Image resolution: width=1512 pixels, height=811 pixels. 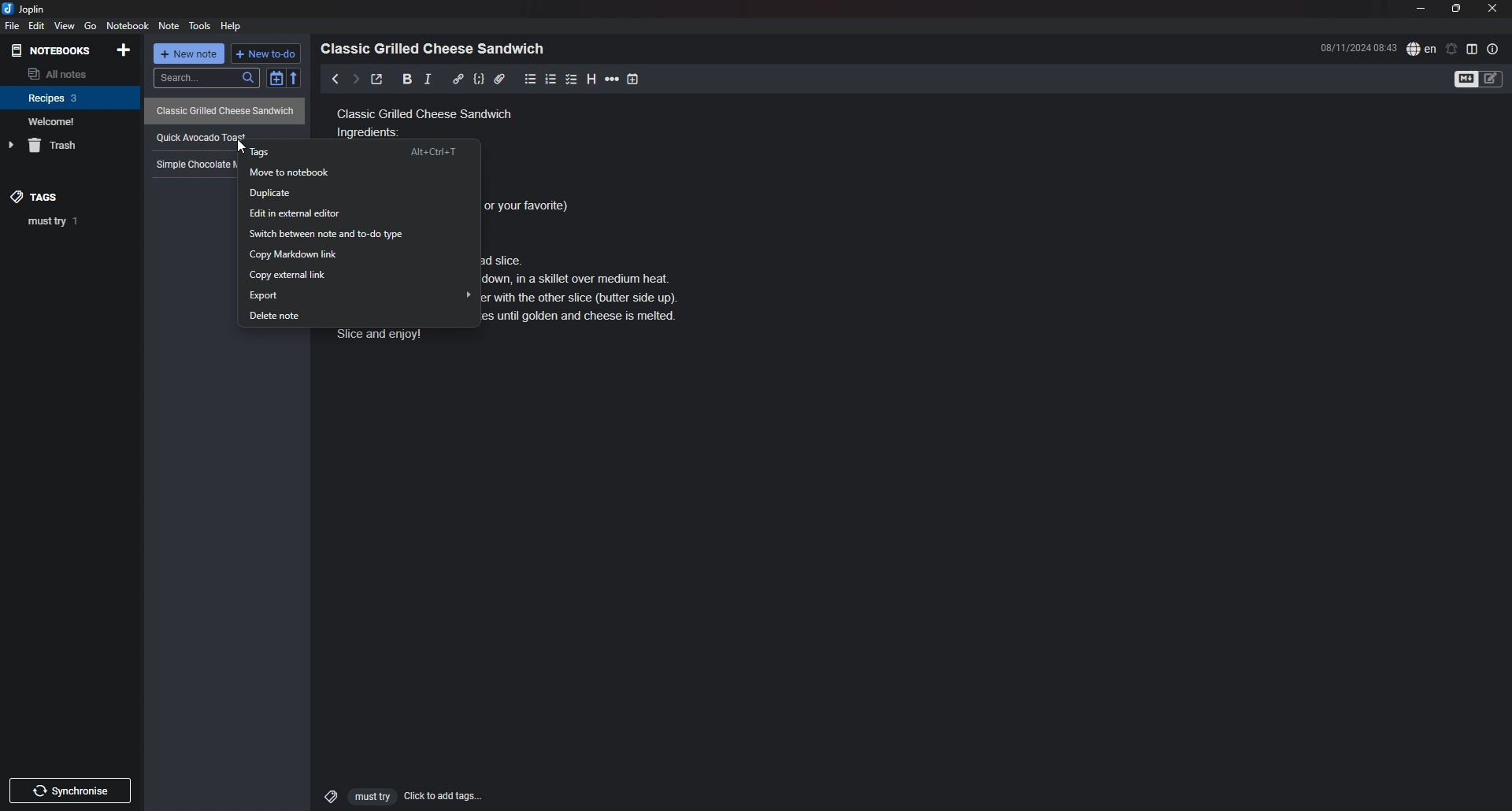 What do you see at coordinates (428, 120) in the screenshot?
I see `Classic grilled cheese sandwich ingredients` at bounding box center [428, 120].